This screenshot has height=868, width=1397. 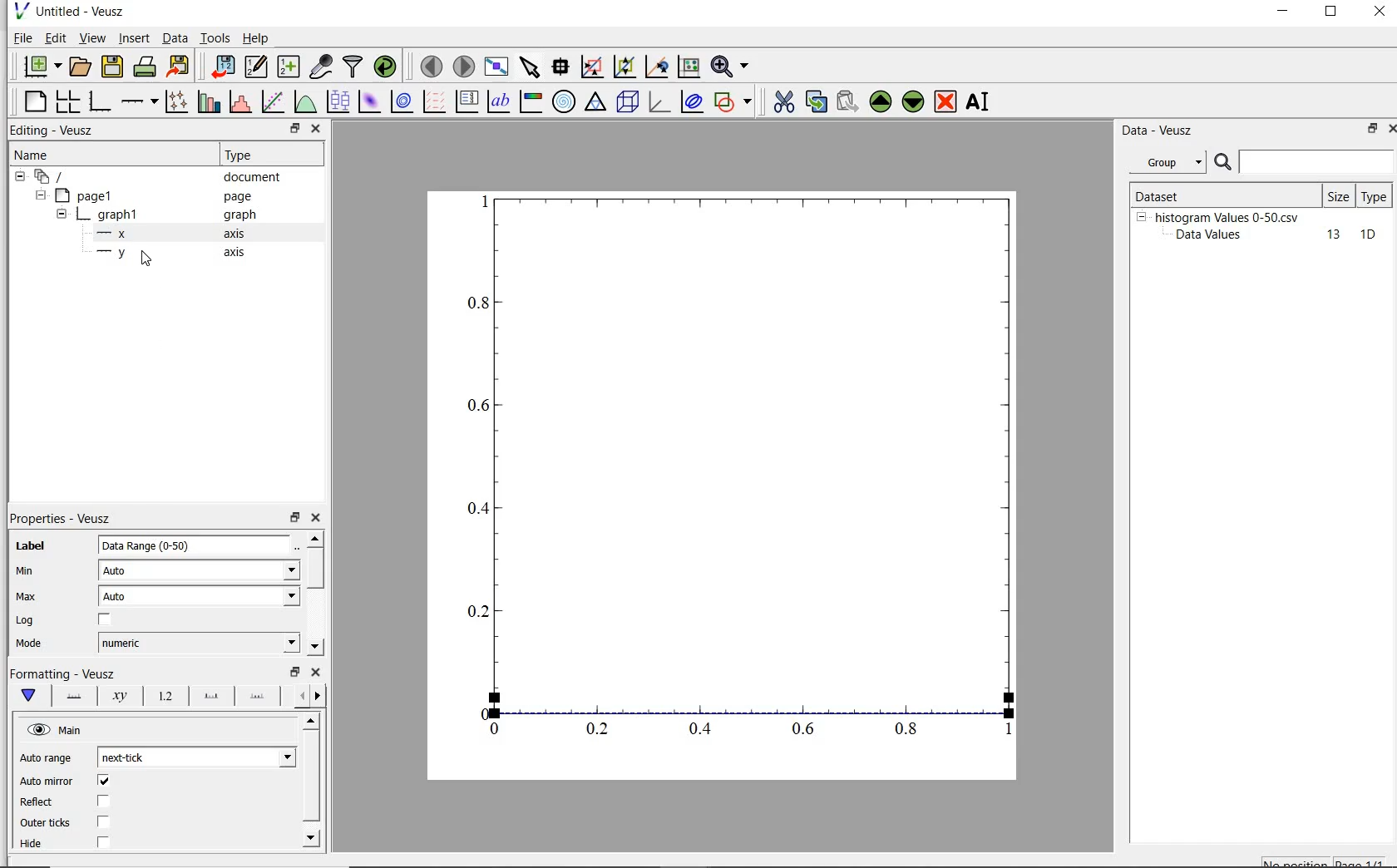 What do you see at coordinates (338, 101) in the screenshot?
I see `plot boxplots` at bounding box center [338, 101].